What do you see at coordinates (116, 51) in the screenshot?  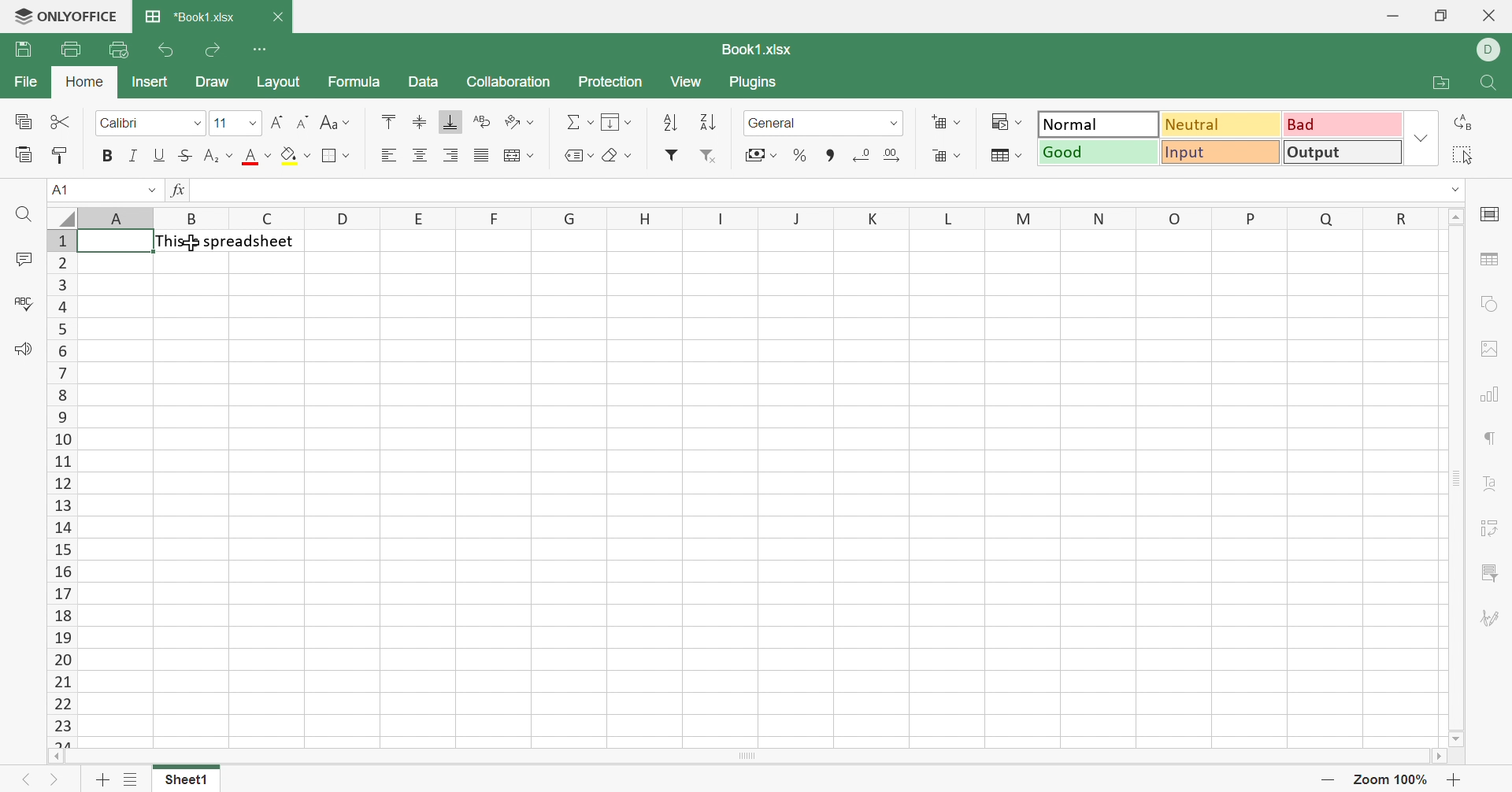 I see `Quick Print` at bounding box center [116, 51].